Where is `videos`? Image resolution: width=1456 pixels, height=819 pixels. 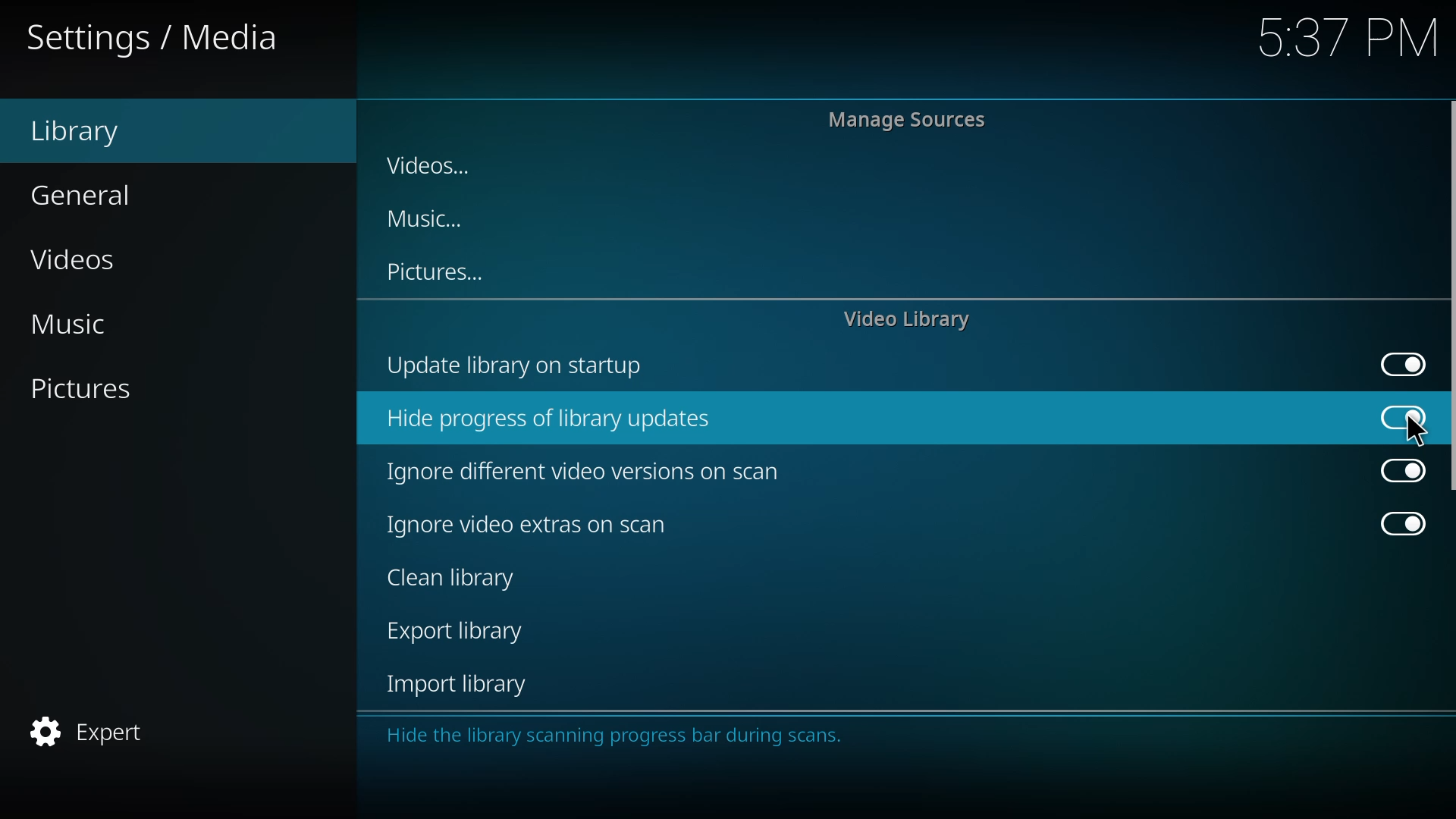 videos is located at coordinates (434, 165).